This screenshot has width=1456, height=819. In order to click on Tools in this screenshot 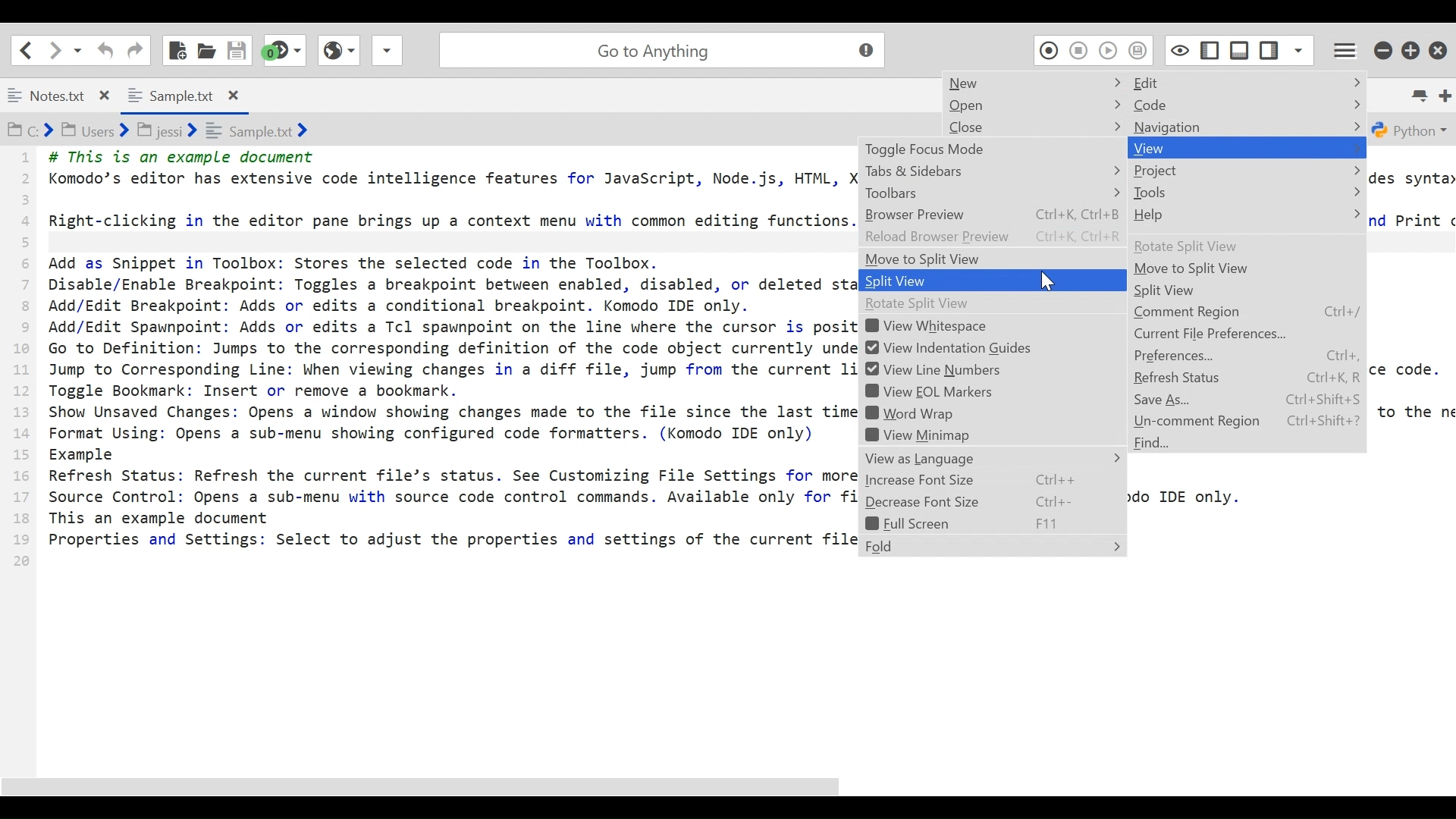, I will do `click(1249, 193)`.